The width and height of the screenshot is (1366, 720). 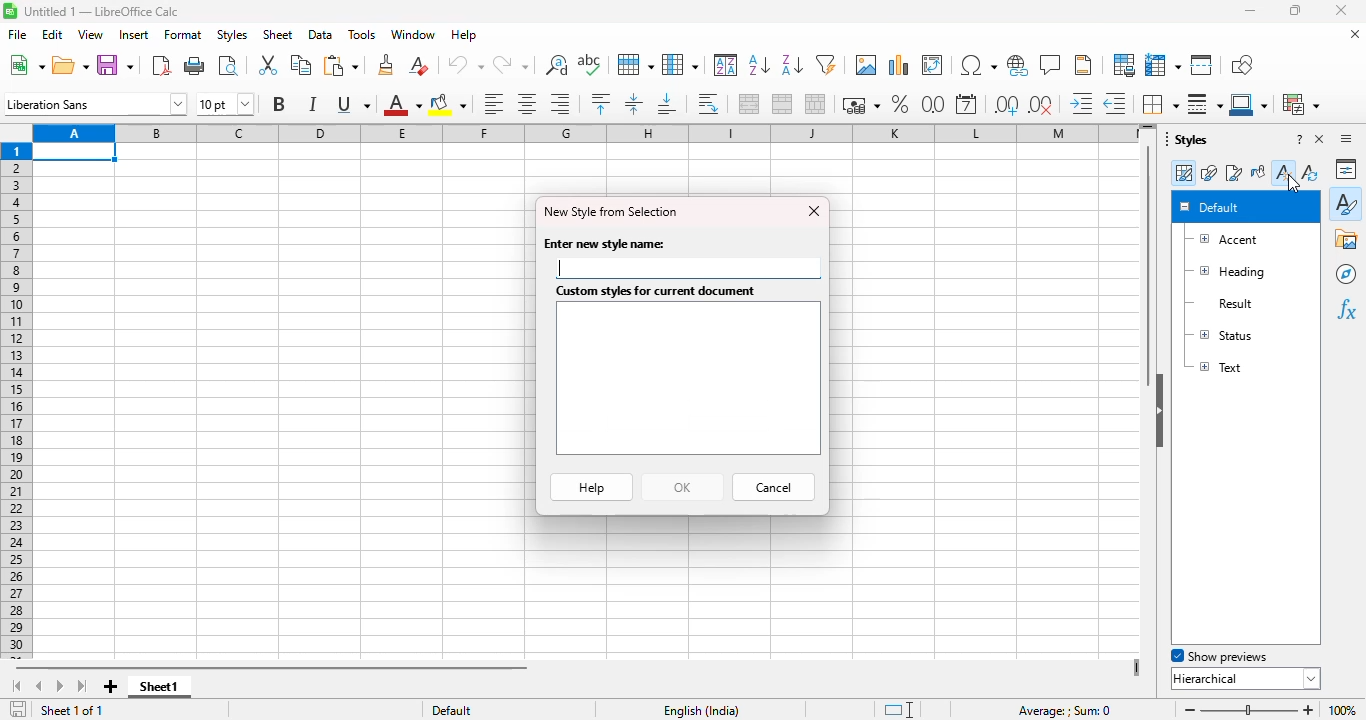 What do you see at coordinates (634, 104) in the screenshot?
I see `center vertically` at bounding box center [634, 104].